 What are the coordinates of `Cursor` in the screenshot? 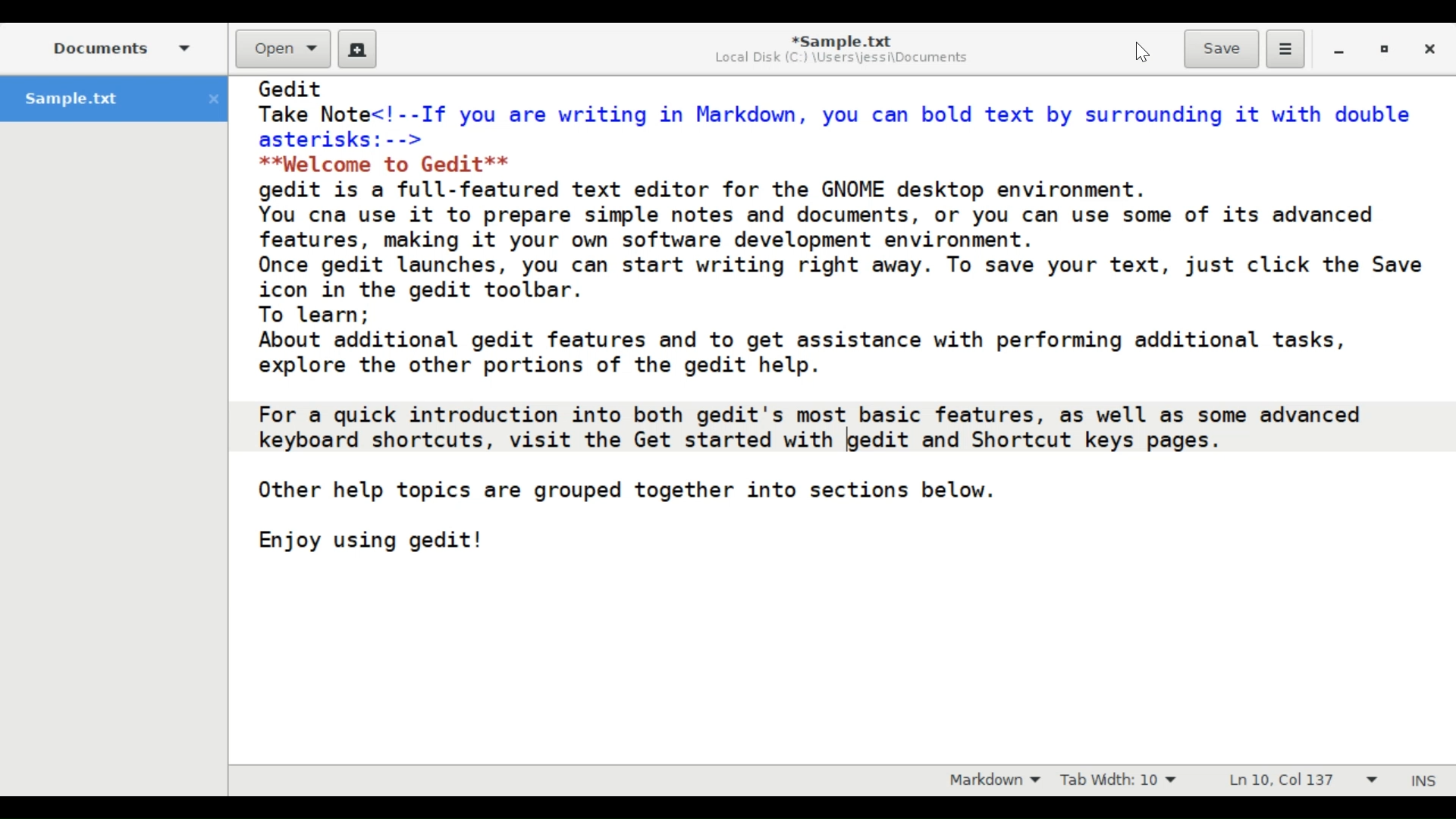 It's located at (1145, 51).